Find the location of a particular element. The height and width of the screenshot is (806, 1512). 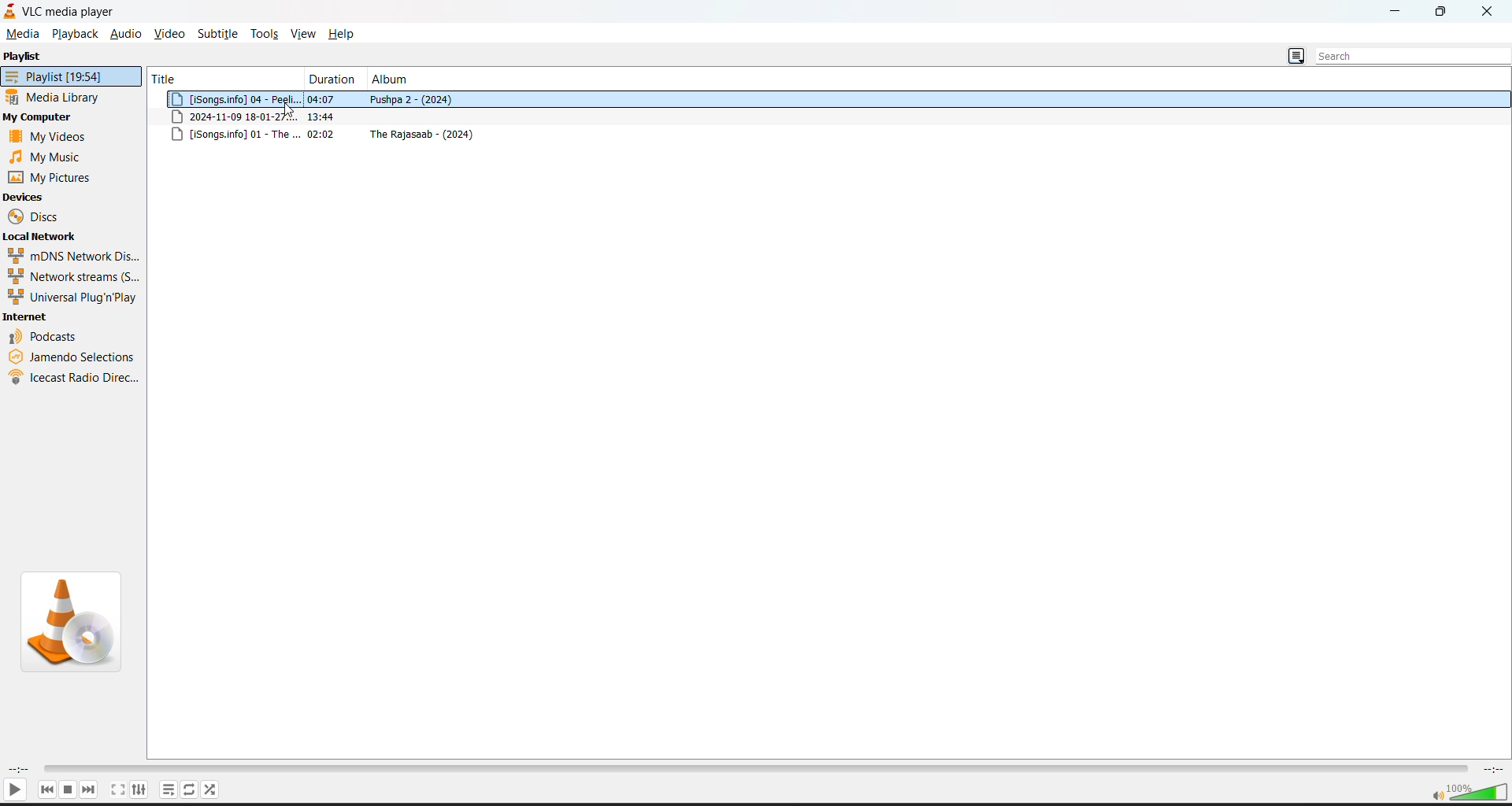

cursor is located at coordinates (291, 110).